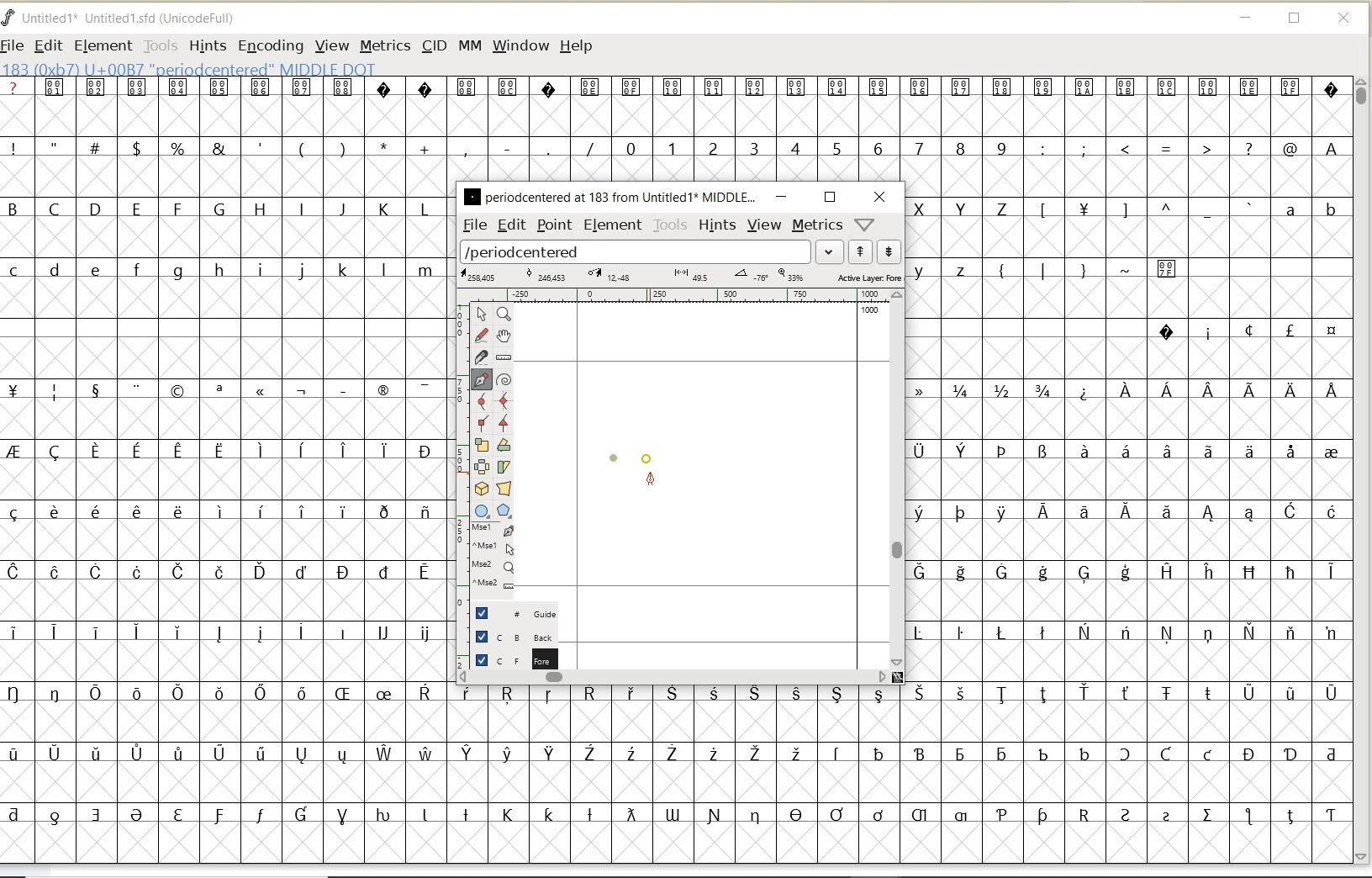  I want to click on load word list, so click(636, 252).